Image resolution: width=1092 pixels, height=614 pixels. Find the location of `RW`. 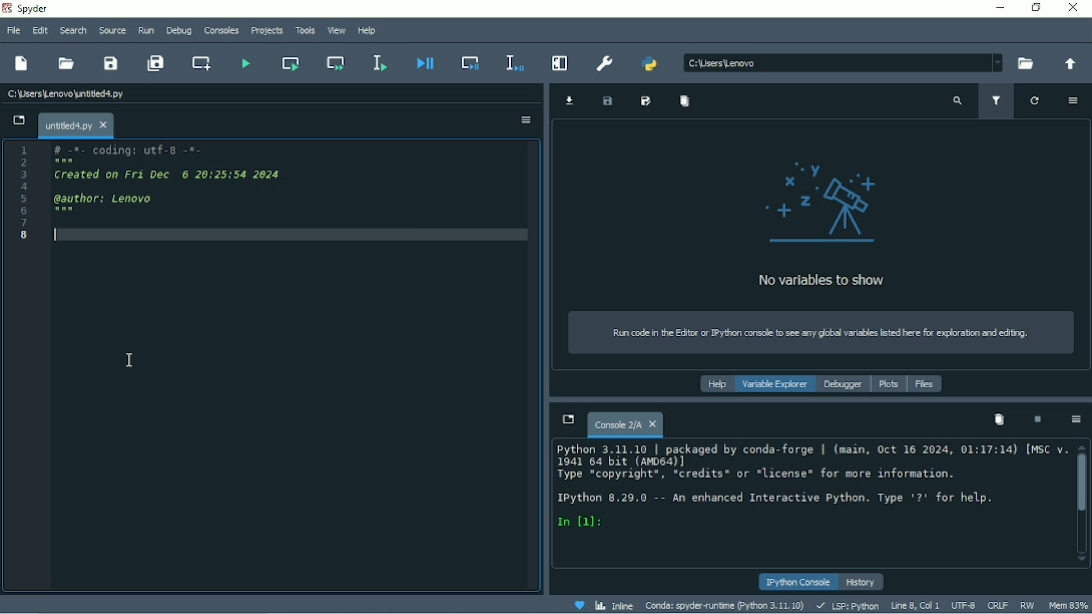

RW is located at coordinates (1028, 605).